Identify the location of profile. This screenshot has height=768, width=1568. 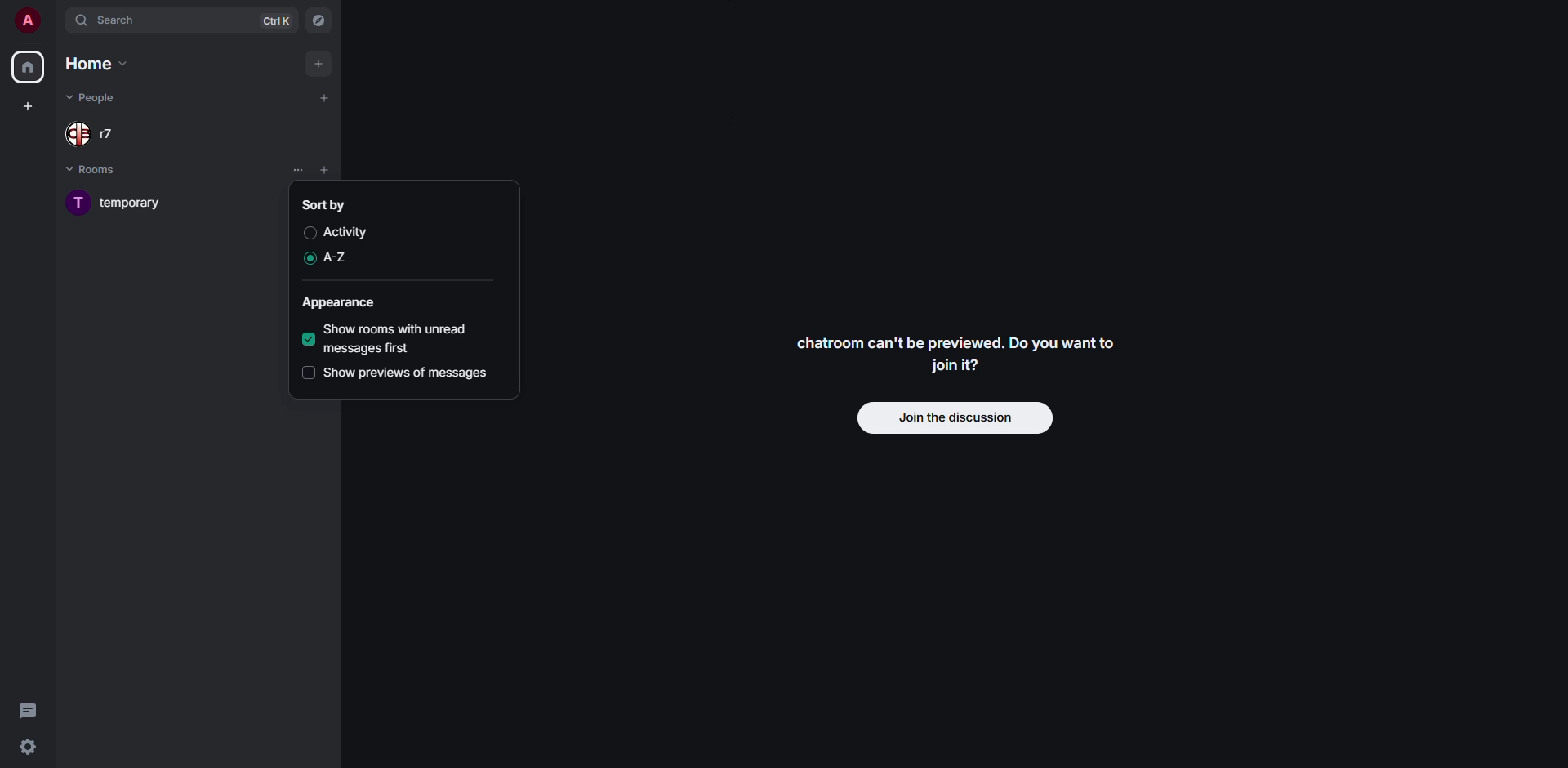
(27, 20).